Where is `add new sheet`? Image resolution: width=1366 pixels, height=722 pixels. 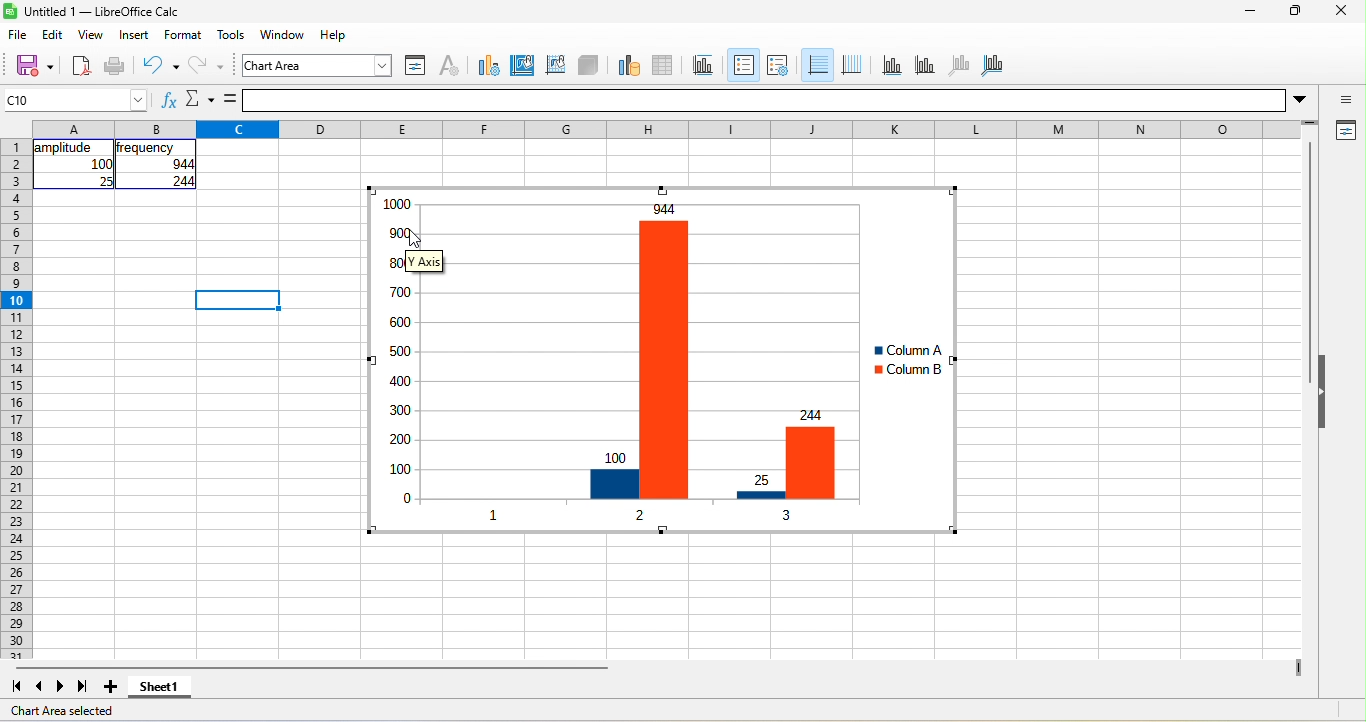
add new sheet is located at coordinates (111, 687).